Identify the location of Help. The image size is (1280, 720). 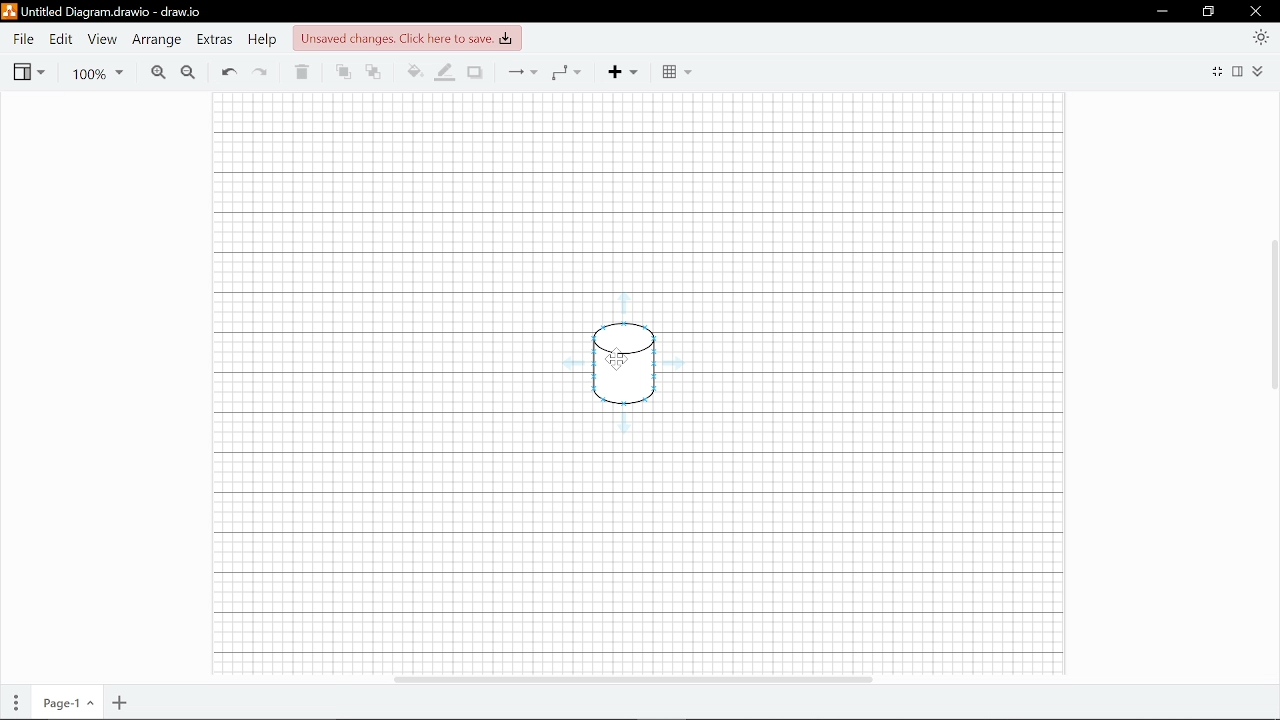
(265, 40).